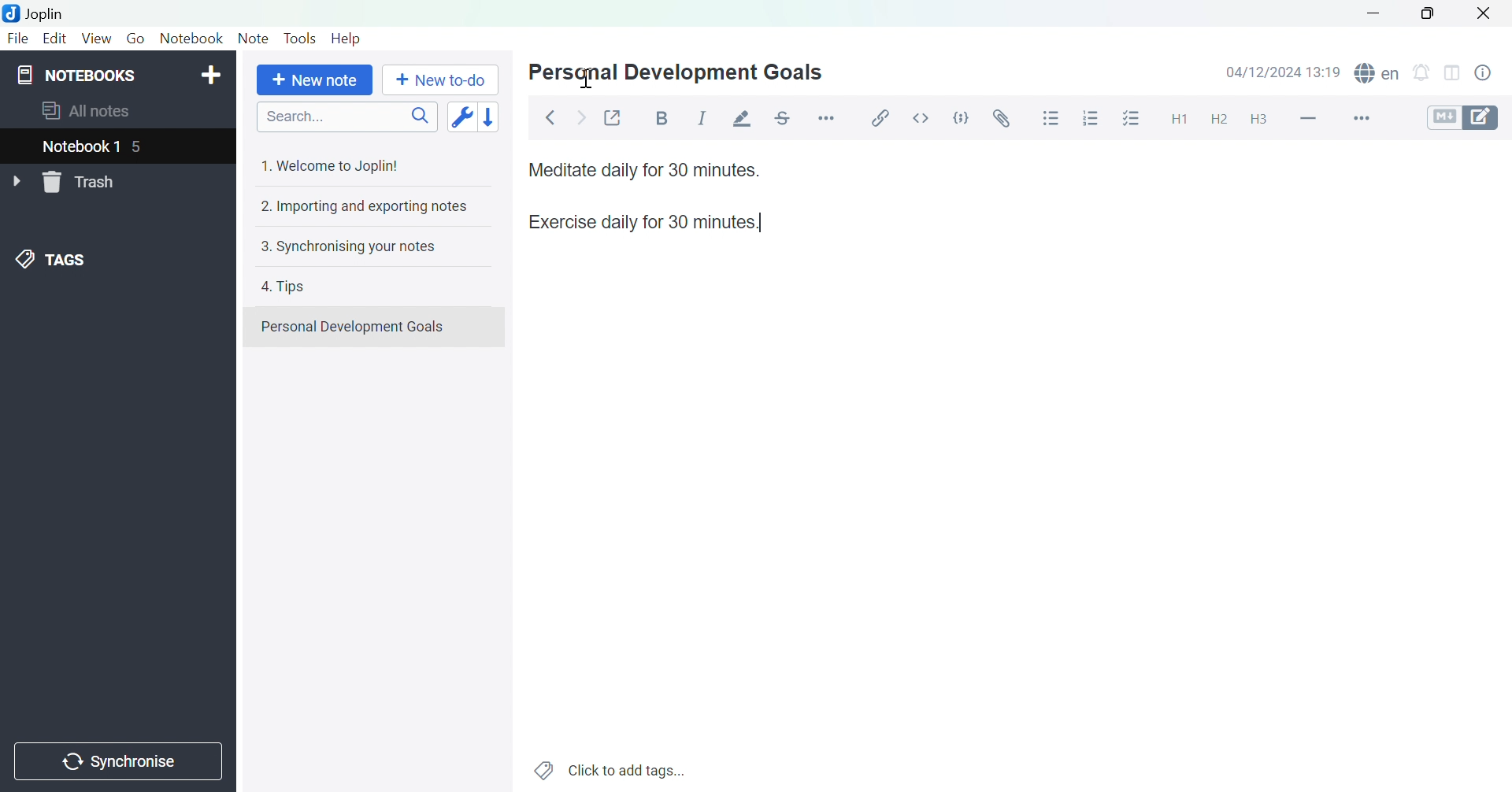  I want to click on Horizontal, so click(828, 117).